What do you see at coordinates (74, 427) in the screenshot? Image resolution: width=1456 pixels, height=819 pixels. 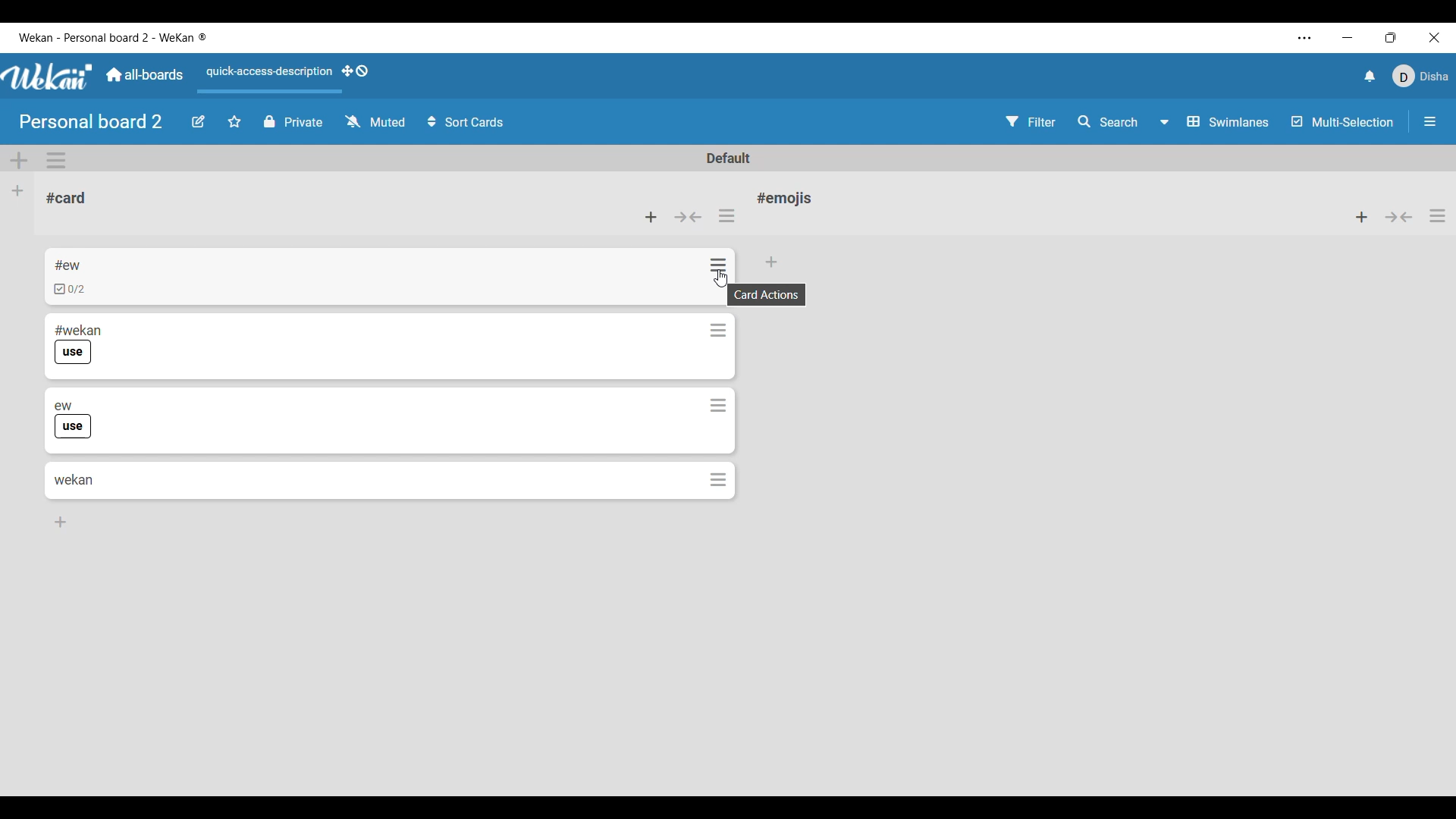 I see `Indicates use of label in card` at bounding box center [74, 427].